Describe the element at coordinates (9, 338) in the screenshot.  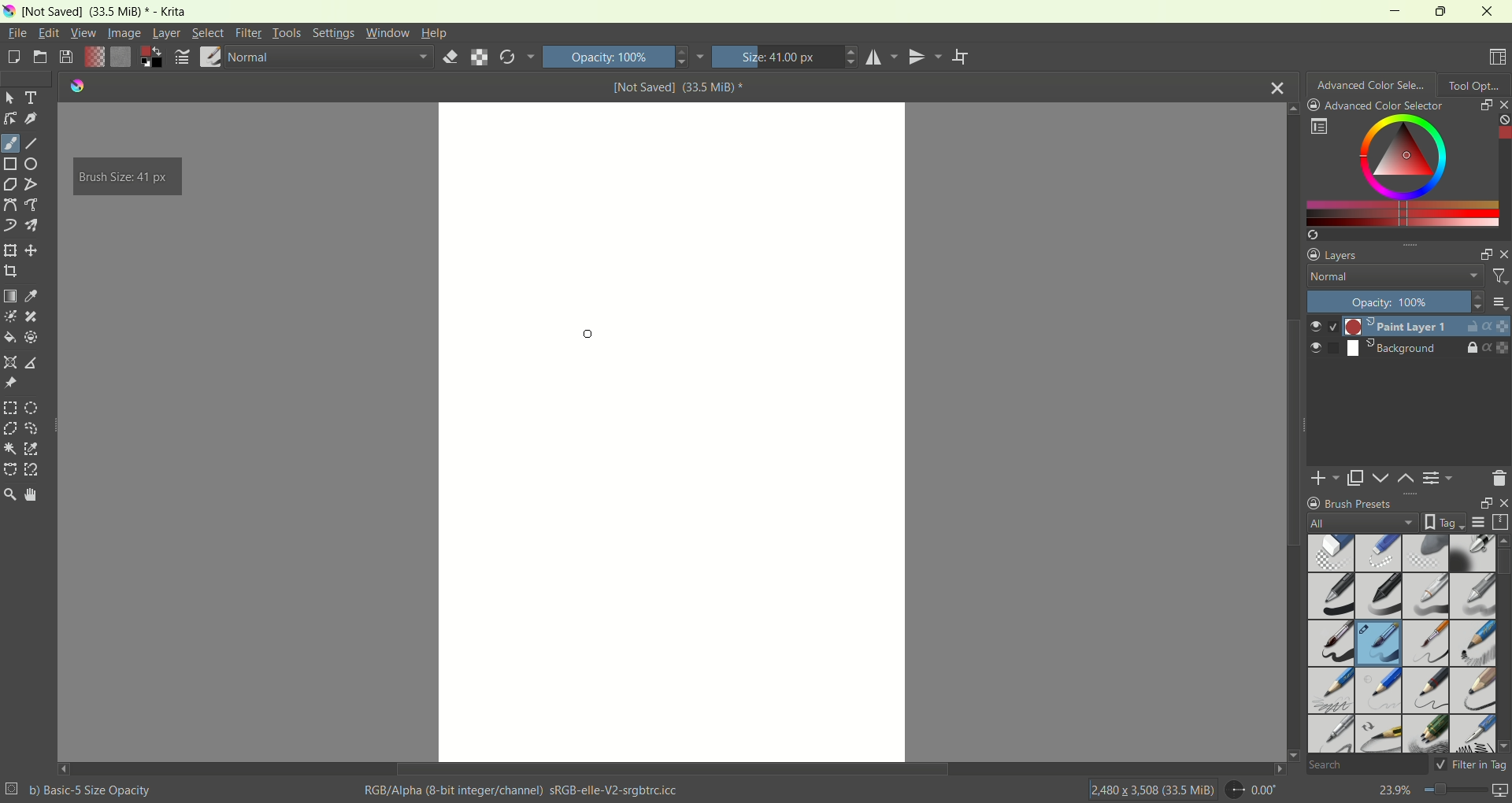
I see `fill a contiguous area` at that location.